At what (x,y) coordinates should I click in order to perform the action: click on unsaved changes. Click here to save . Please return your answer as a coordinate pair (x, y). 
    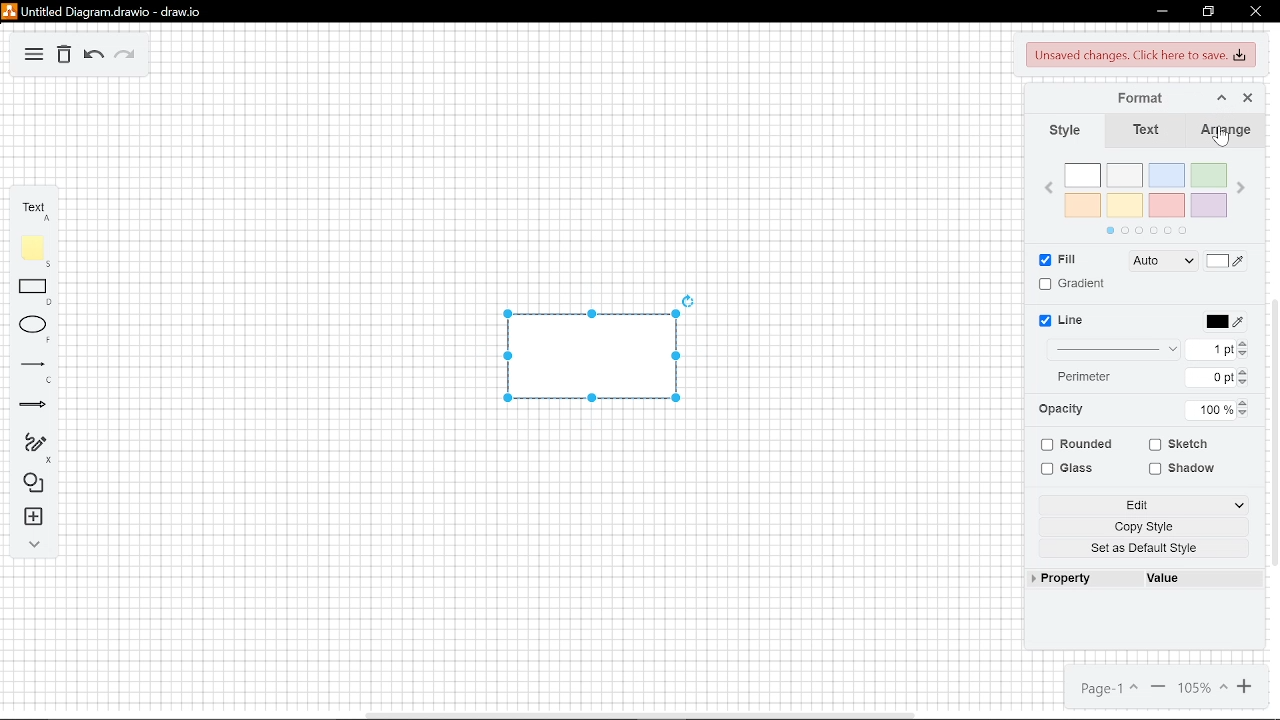
    Looking at the image, I should click on (1138, 56).